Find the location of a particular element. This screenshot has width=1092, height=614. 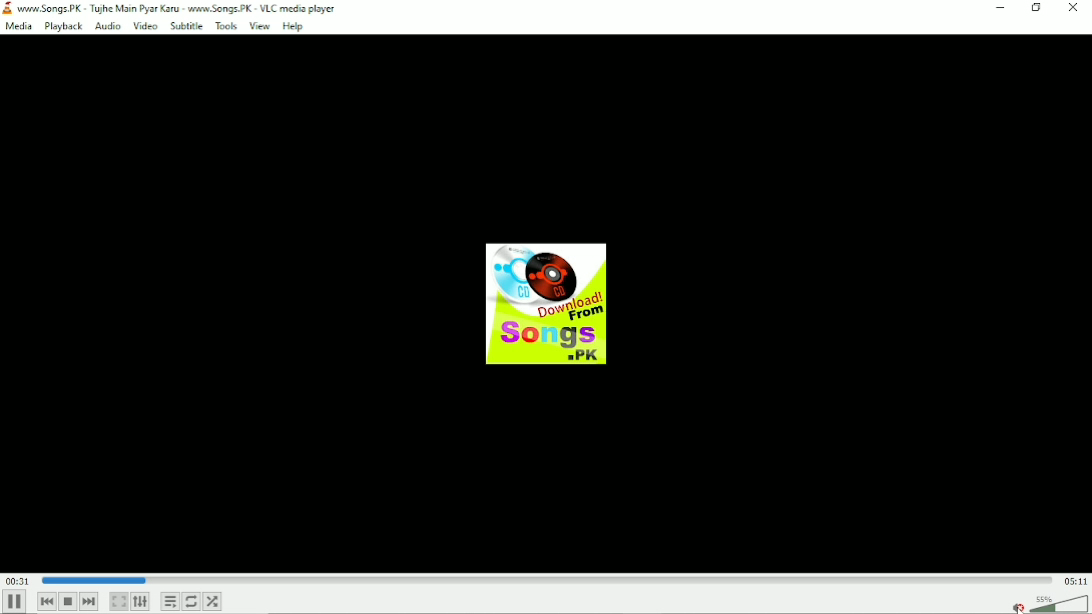

Subtitle is located at coordinates (186, 26).